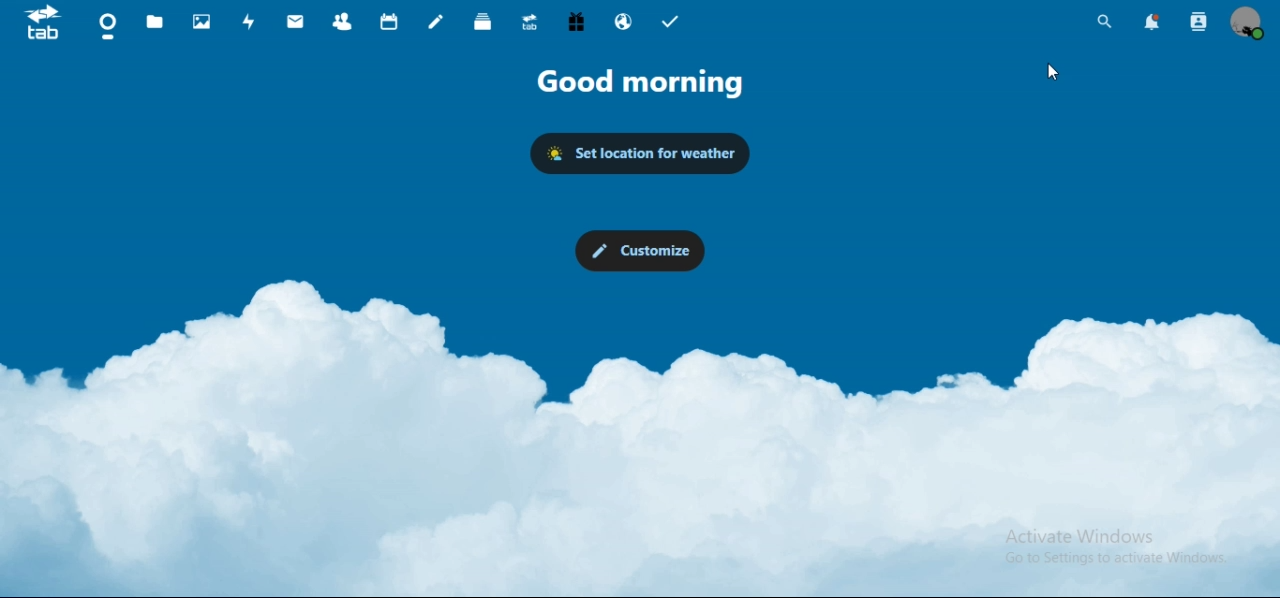 This screenshot has width=1280, height=598. Describe the element at coordinates (530, 23) in the screenshot. I see `upgrade` at that location.